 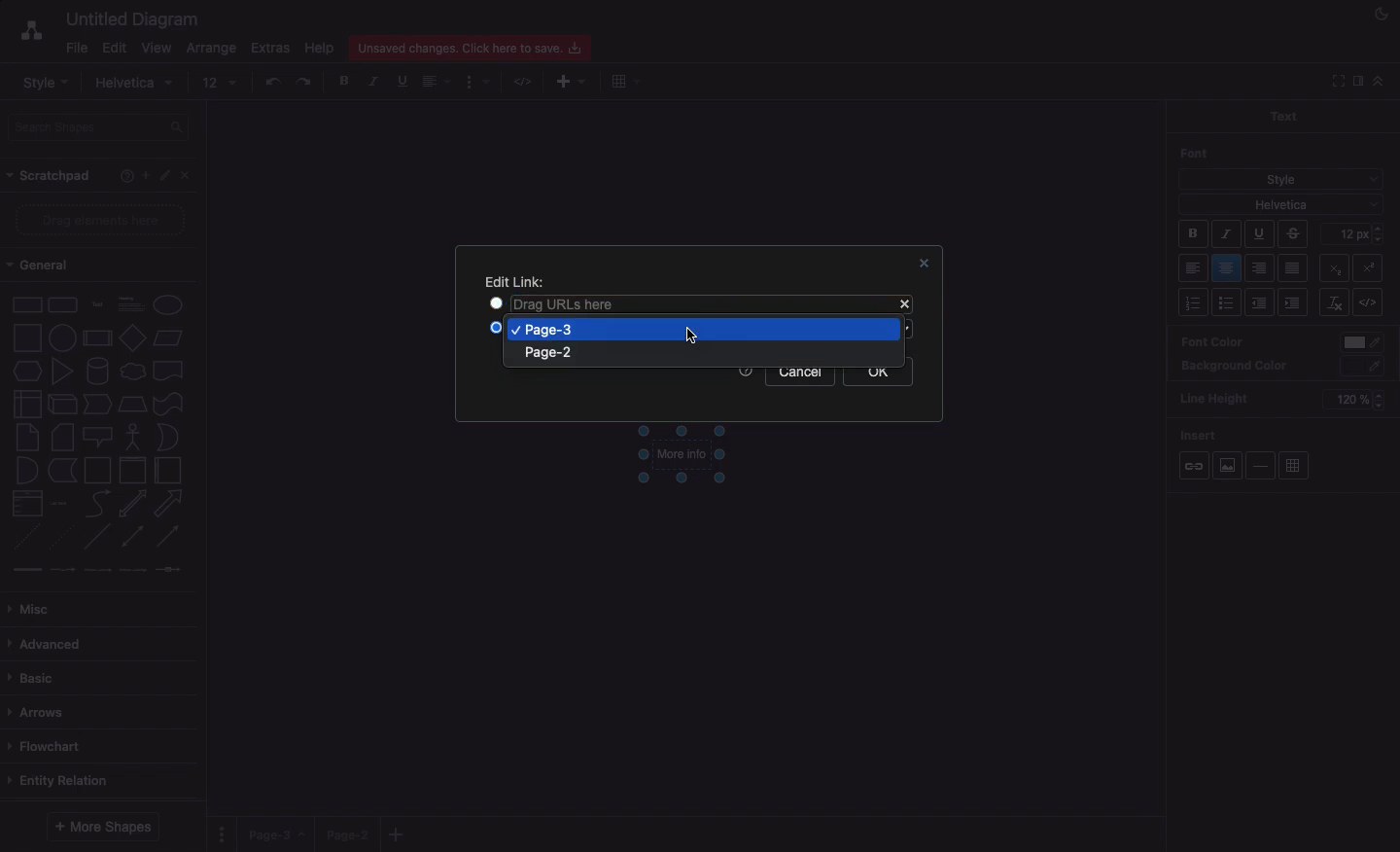 What do you see at coordinates (131, 438) in the screenshot?
I see `actor` at bounding box center [131, 438].